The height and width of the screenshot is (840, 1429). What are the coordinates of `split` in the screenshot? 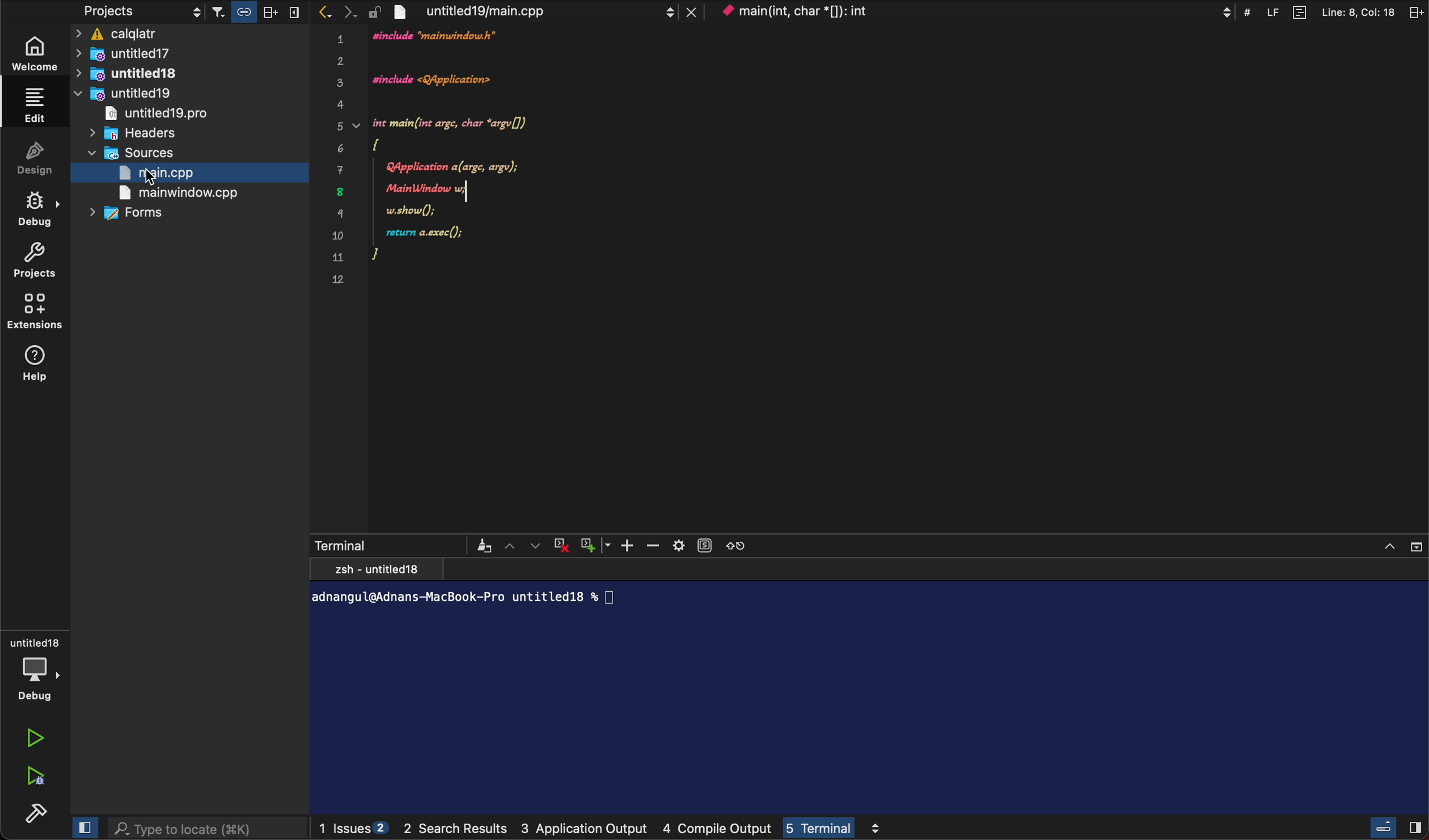 It's located at (1414, 11).